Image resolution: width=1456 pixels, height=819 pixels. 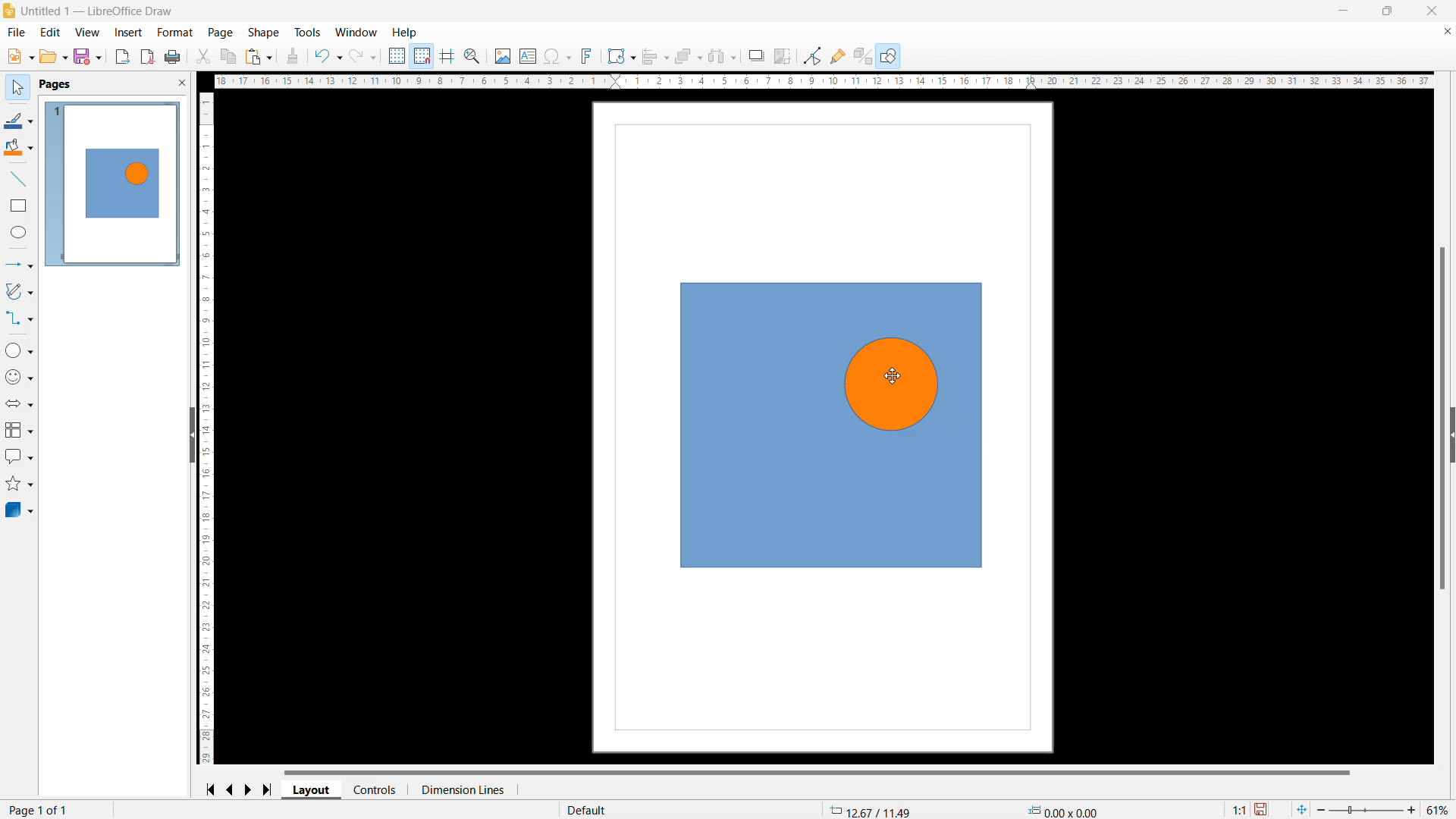 What do you see at coordinates (756, 55) in the screenshot?
I see `shadow` at bounding box center [756, 55].